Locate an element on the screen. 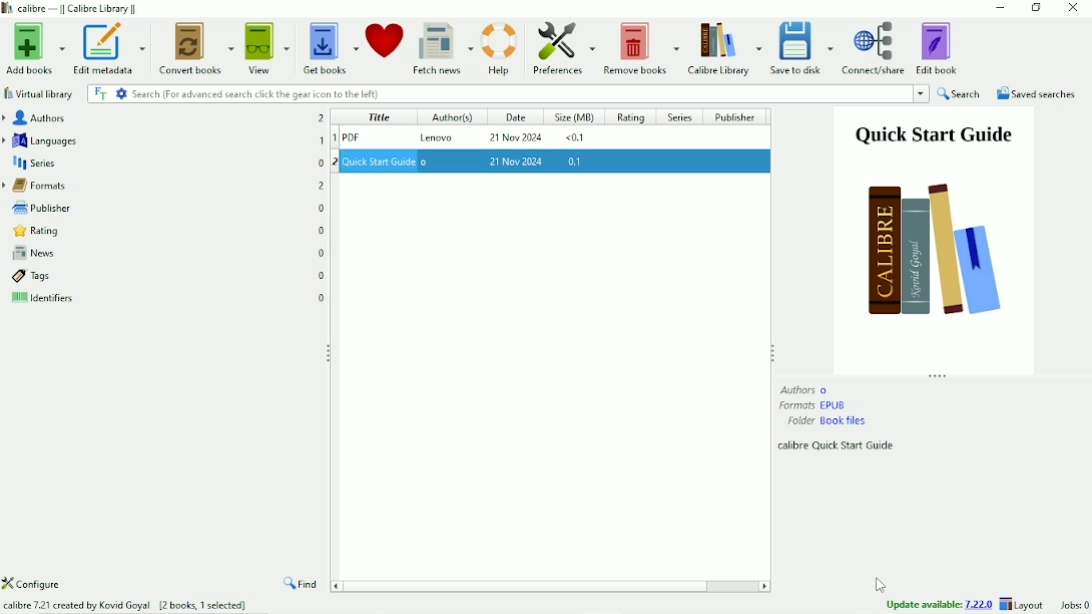 This screenshot has width=1092, height=614. Search is located at coordinates (530, 94).